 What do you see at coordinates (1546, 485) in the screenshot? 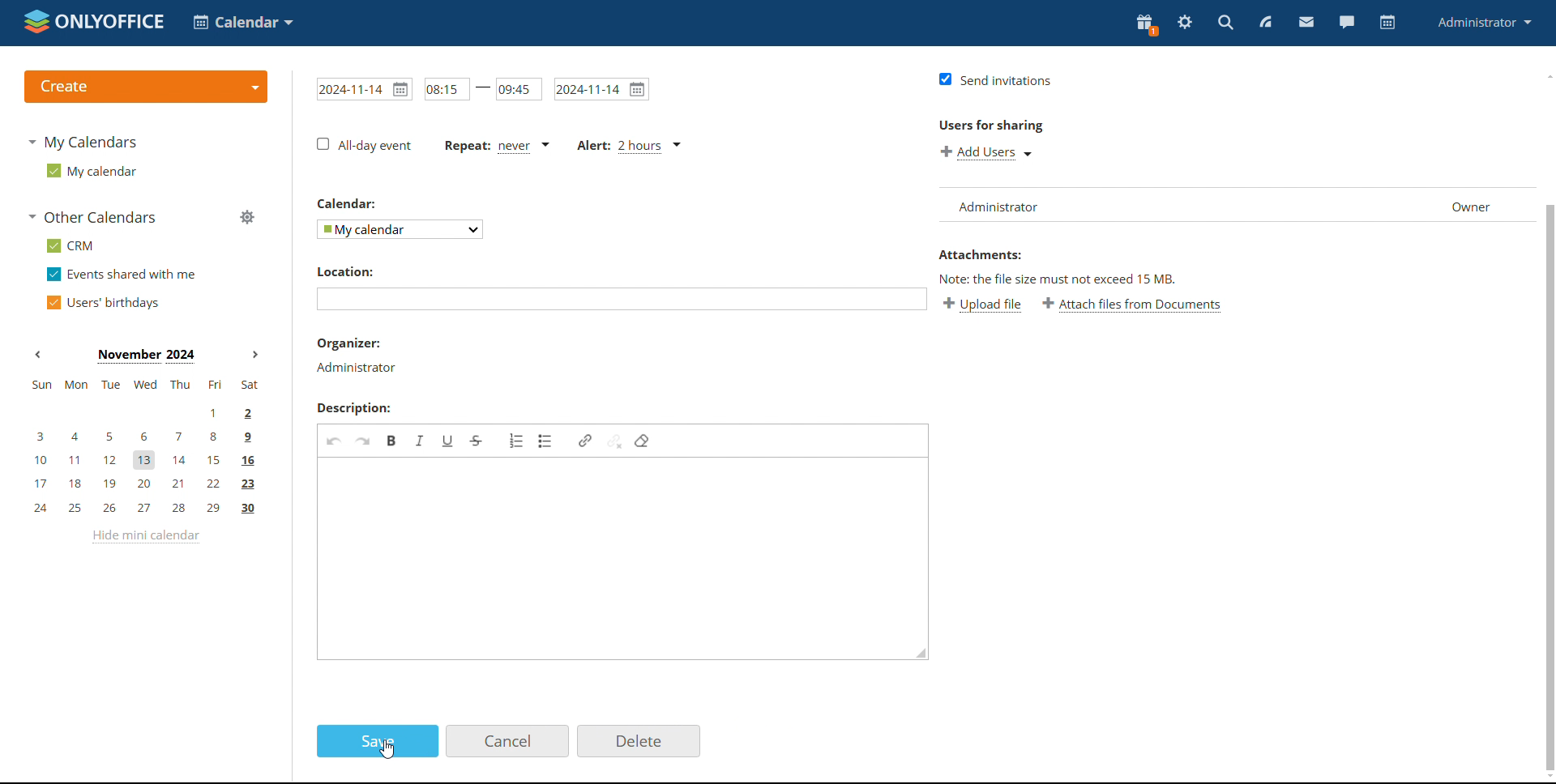
I see `scrollbar` at bounding box center [1546, 485].